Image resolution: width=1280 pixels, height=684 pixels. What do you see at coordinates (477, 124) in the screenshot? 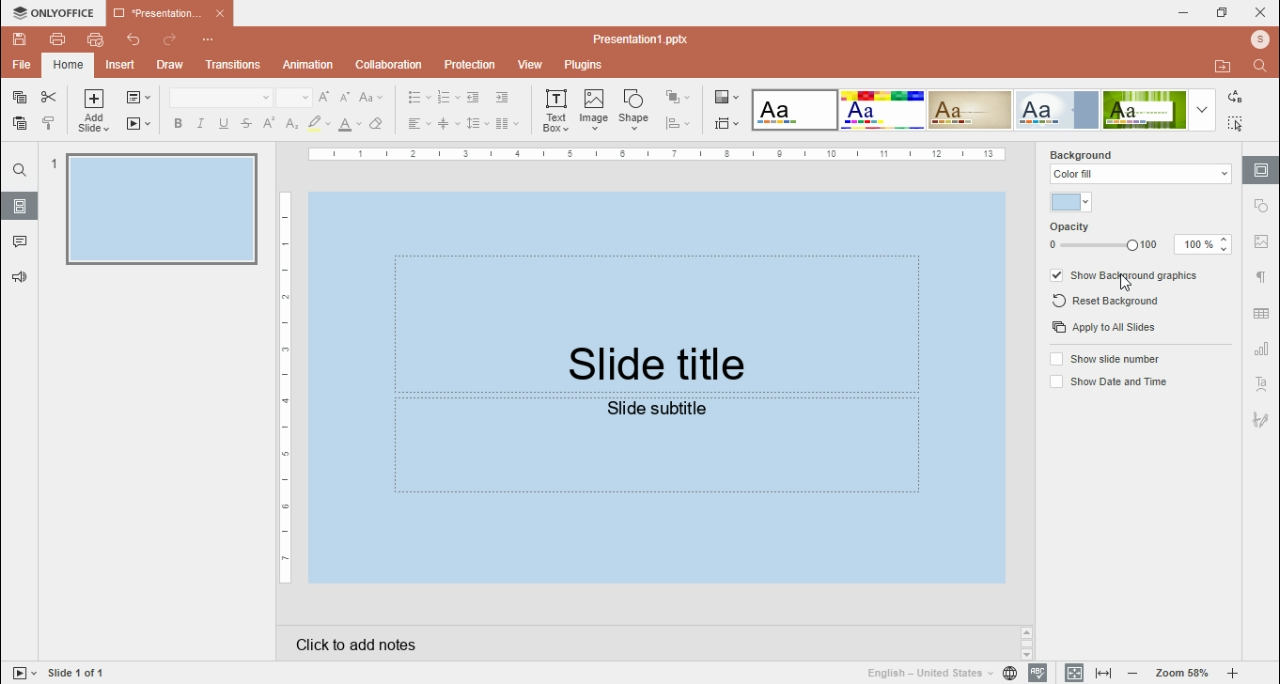
I see `line spacing` at bounding box center [477, 124].